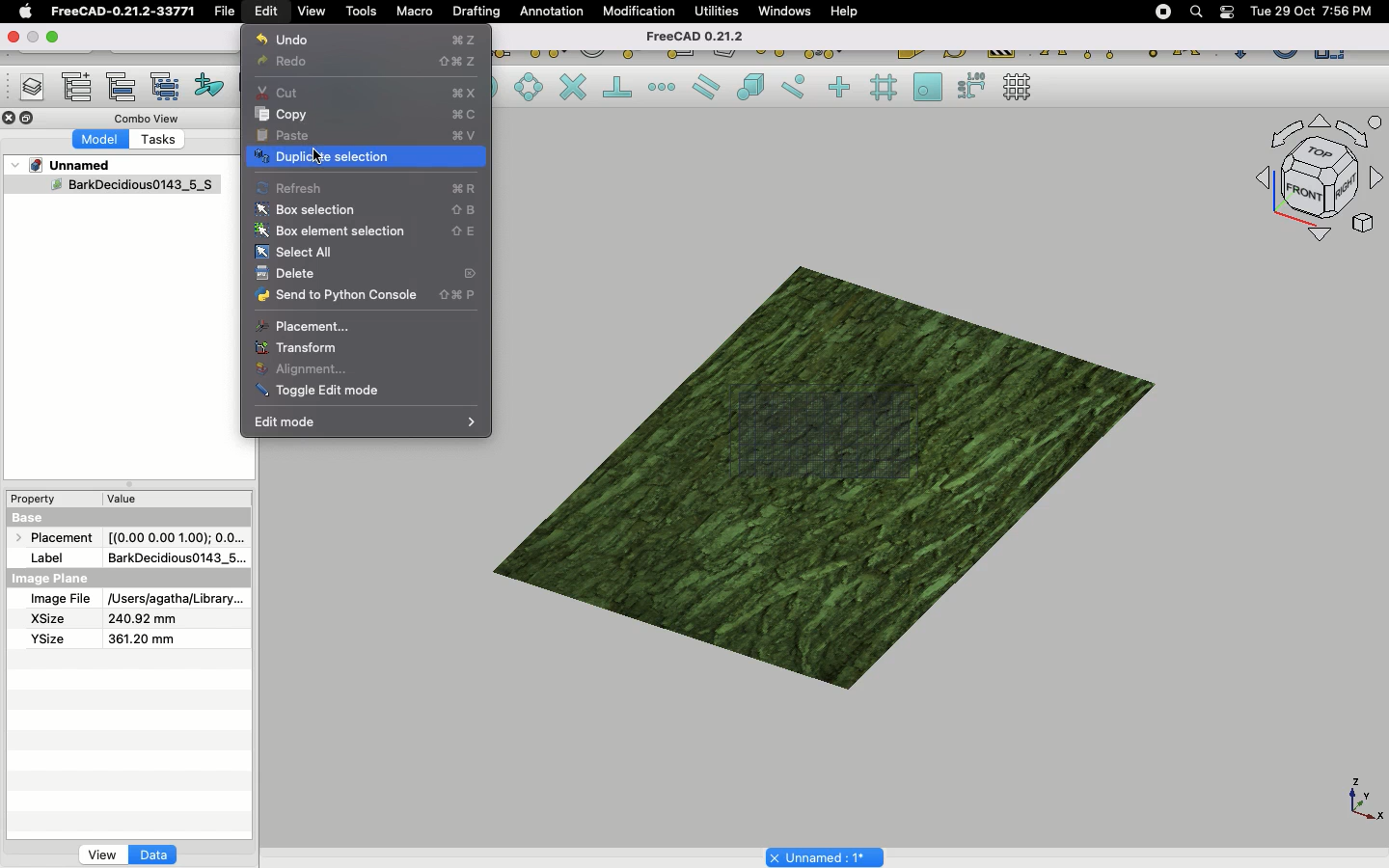  What do you see at coordinates (172, 600) in the screenshot?
I see `[Users/agatha/Library...` at bounding box center [172, 600].